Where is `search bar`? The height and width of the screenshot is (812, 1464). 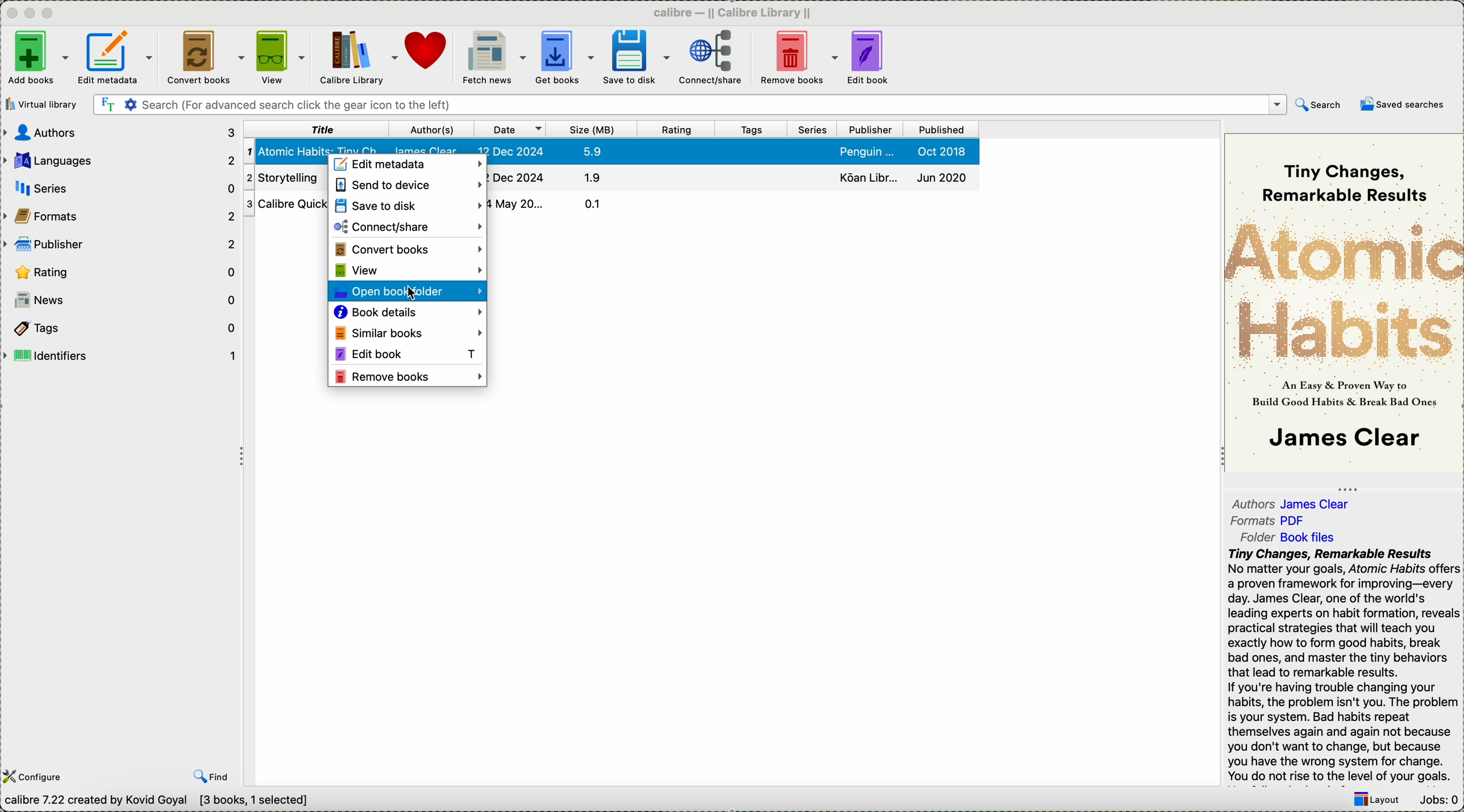 search bar is located at coordinates (688, 105).